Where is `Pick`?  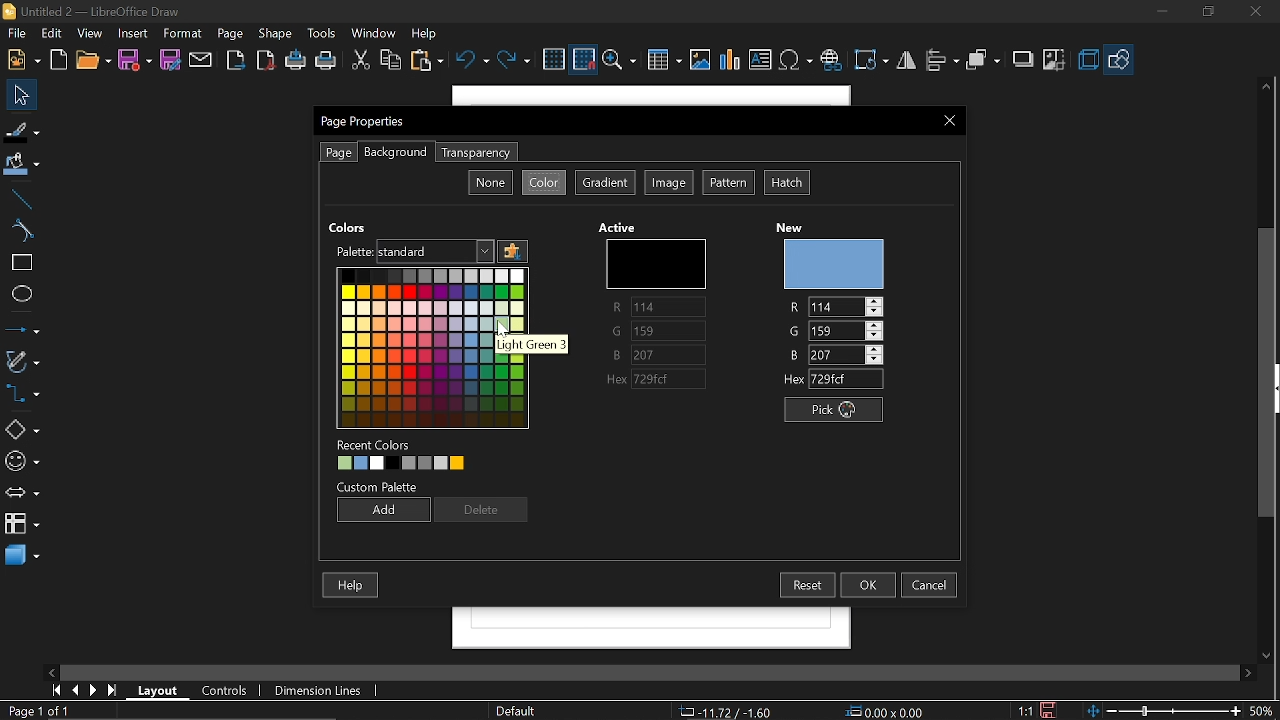
Pick is located at coordinates (838, 411).